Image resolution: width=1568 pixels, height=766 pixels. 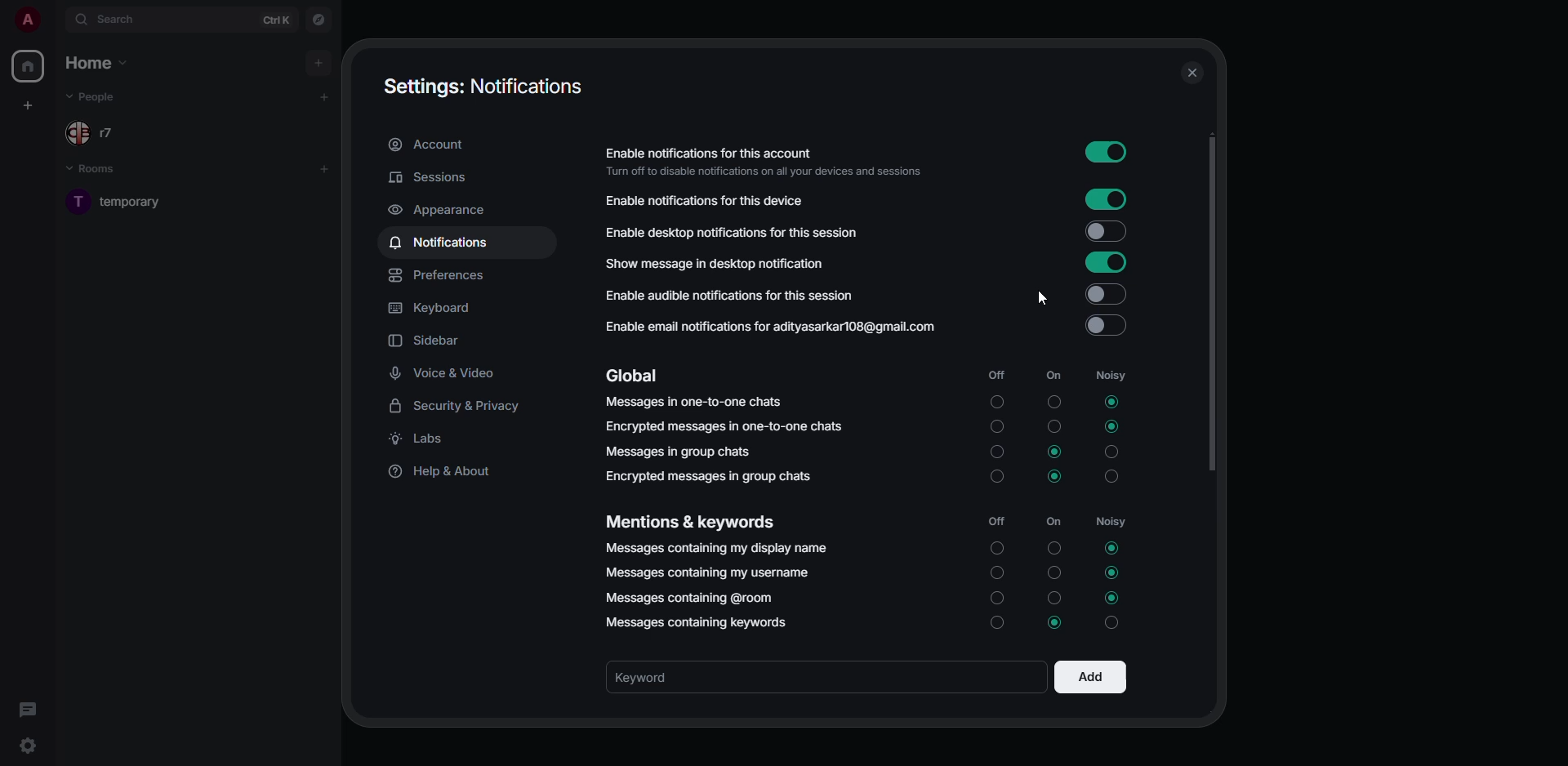 I want to click on account, so click(x=431, y=146).